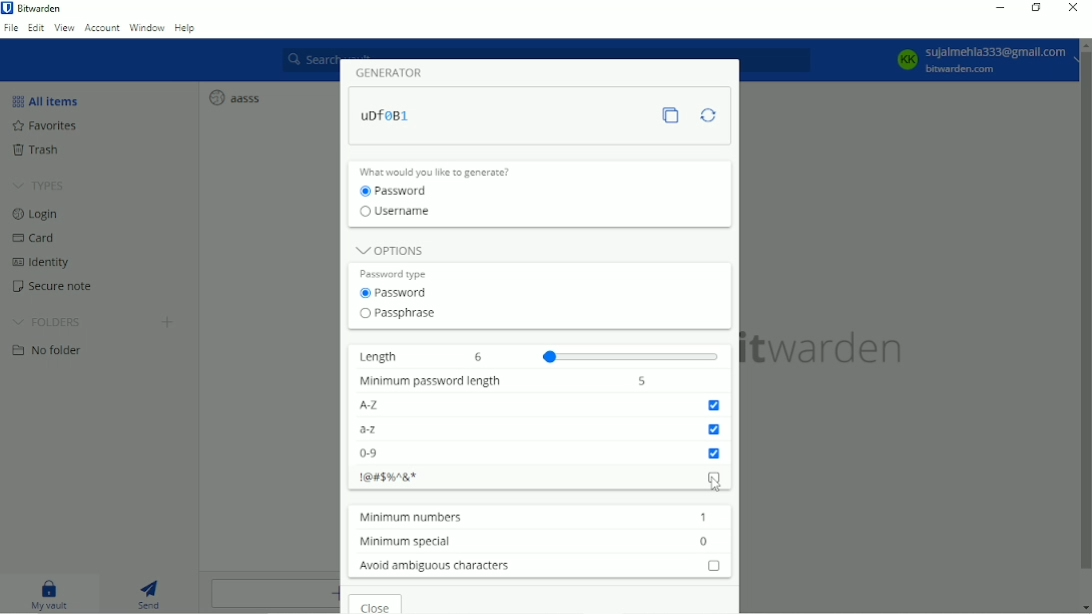 This screenshot has width=1092, height=614. I want to click on Password type label, so click(397, 273).